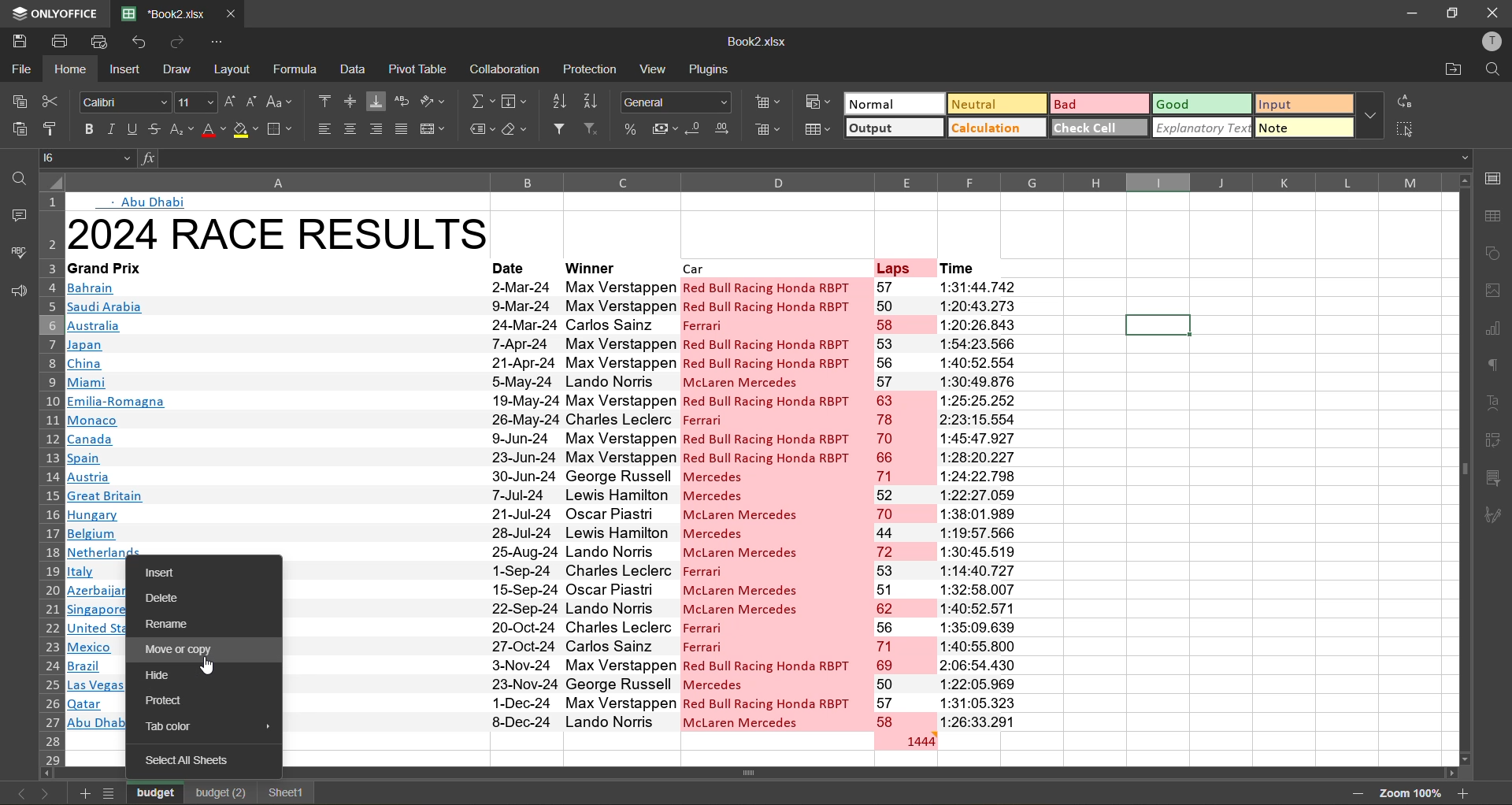 The height and width of the screenshot is (805, 1512). What do you see at coordinates (563, 101) in the screenshot?
I see `sort ascending` at bounding box center [563, 101].